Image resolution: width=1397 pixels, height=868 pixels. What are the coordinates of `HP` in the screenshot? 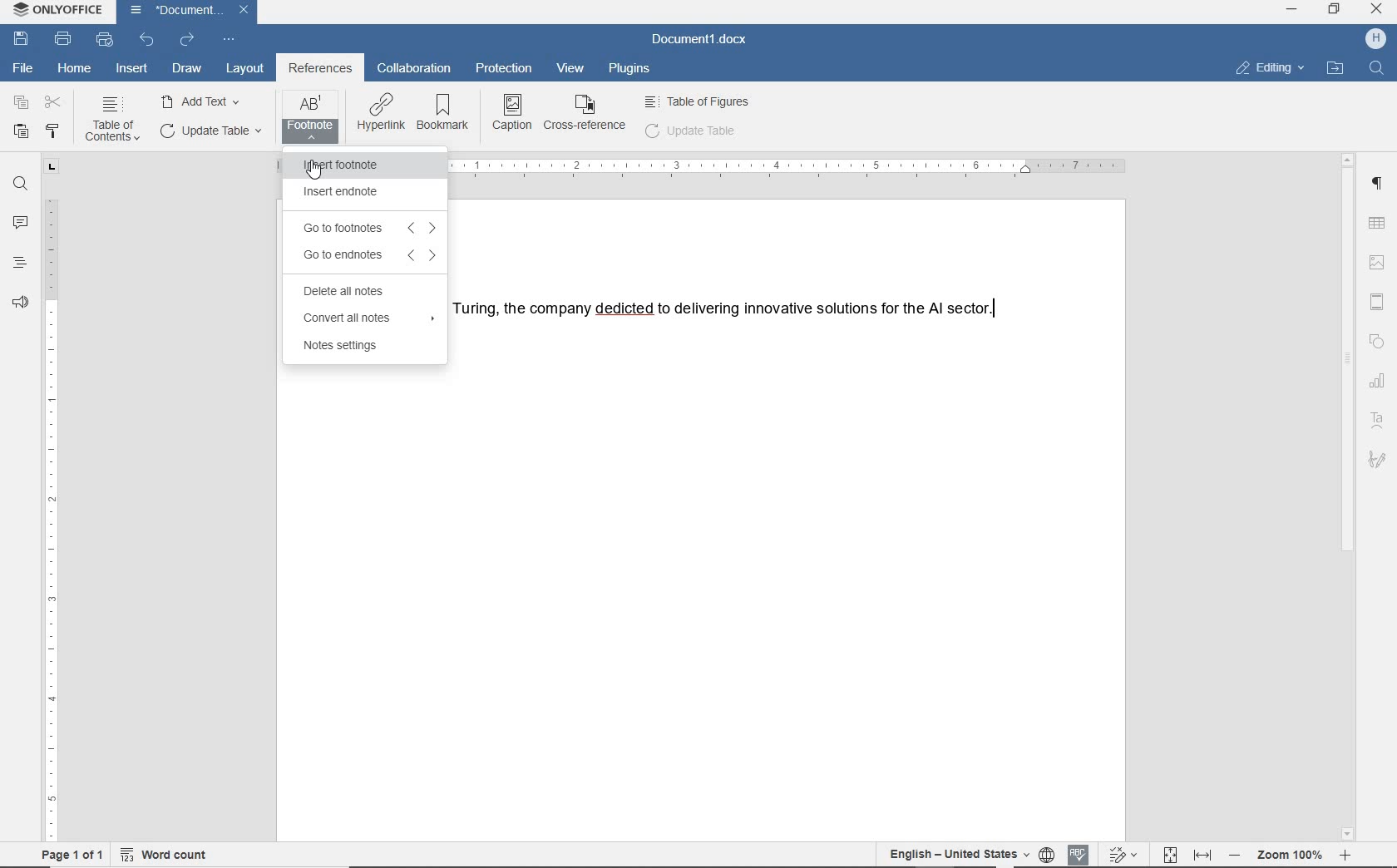 It's located at (1375, 40).